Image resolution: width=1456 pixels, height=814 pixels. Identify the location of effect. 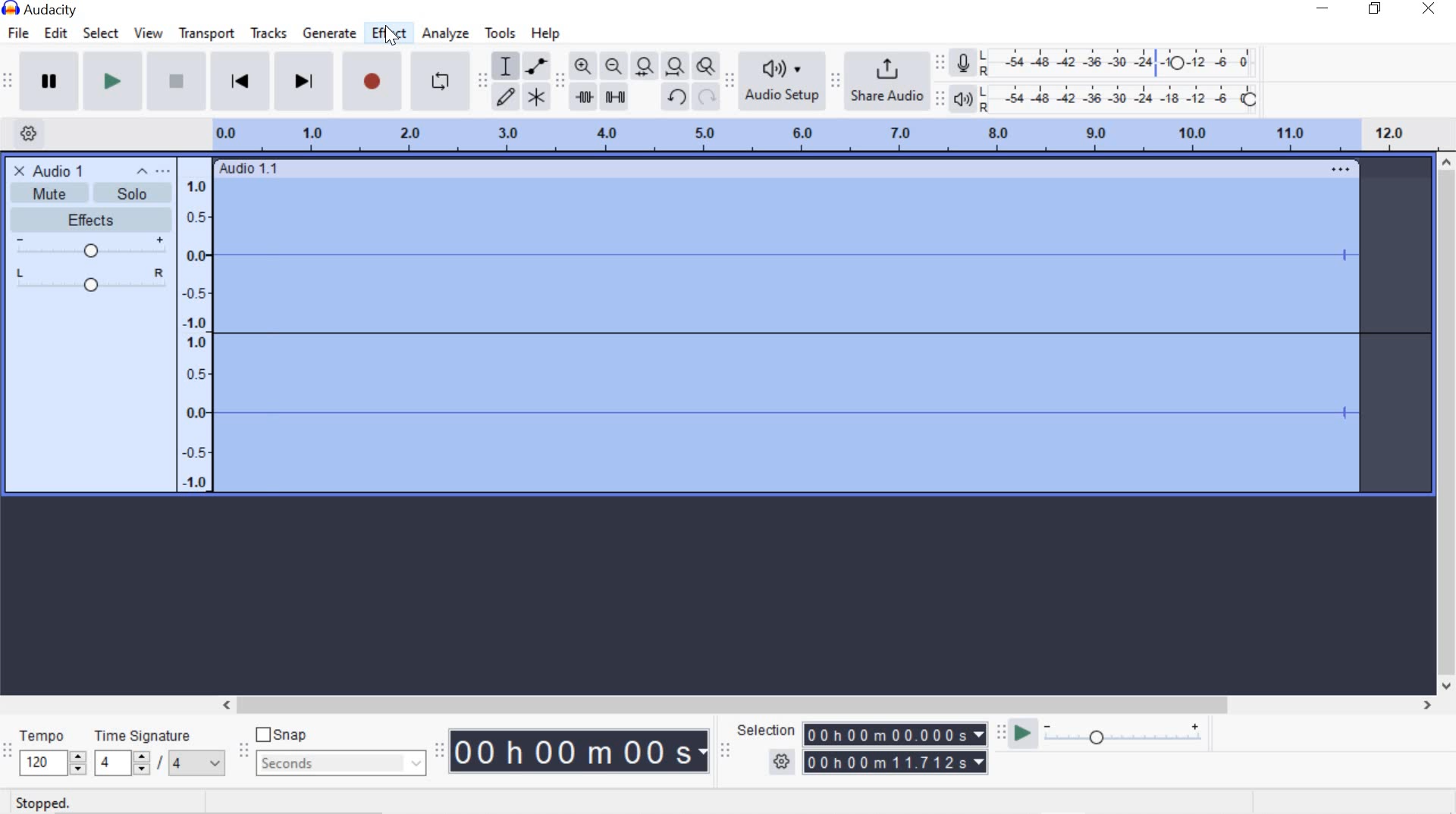
(390, 35).